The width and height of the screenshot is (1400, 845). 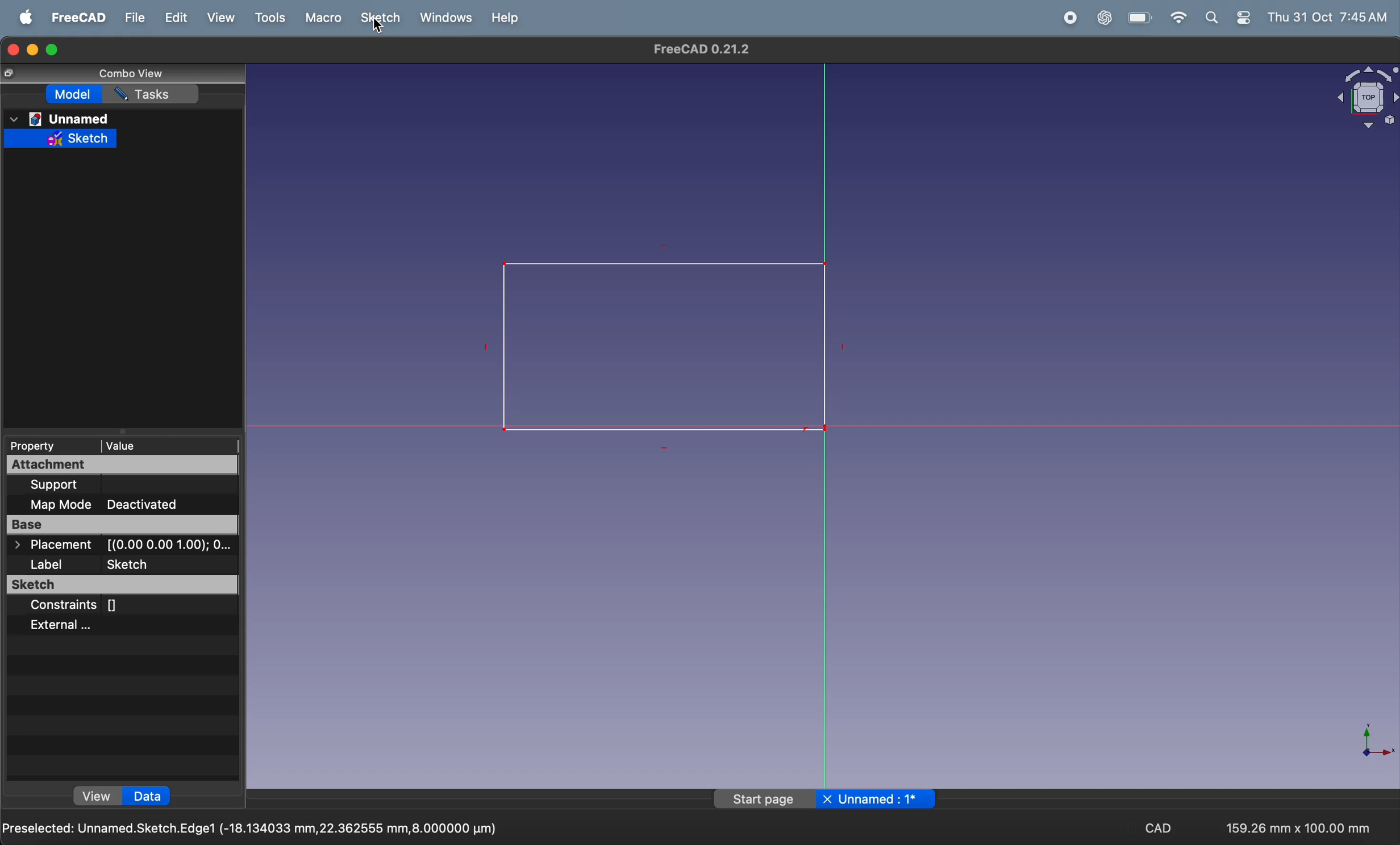 What do you see at coordinates (20, 18) in the screenshot?
I see `apple menu` at bounding box center [20, 18].